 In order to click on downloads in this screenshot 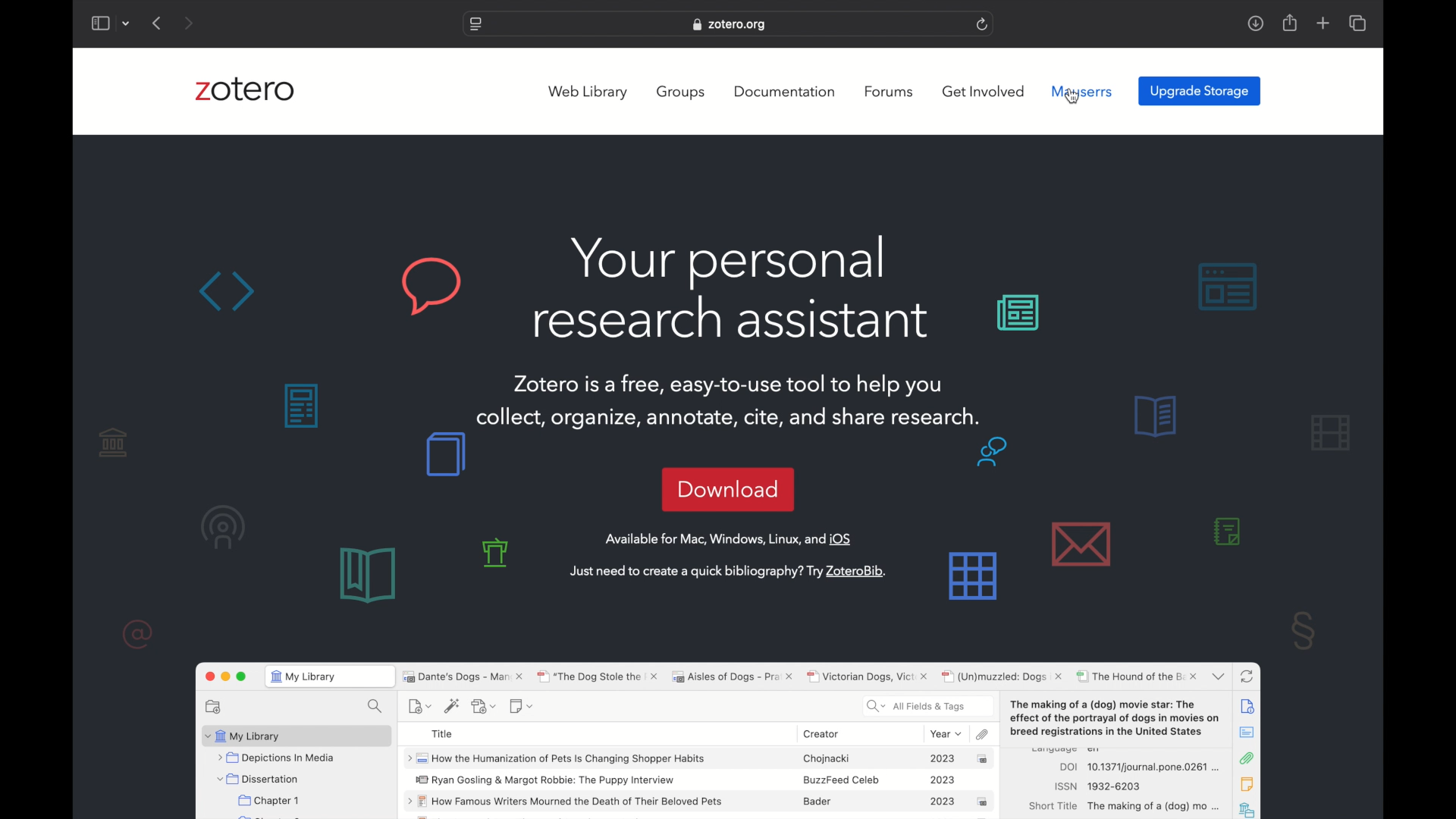, I will do `click(1255, 23)`.